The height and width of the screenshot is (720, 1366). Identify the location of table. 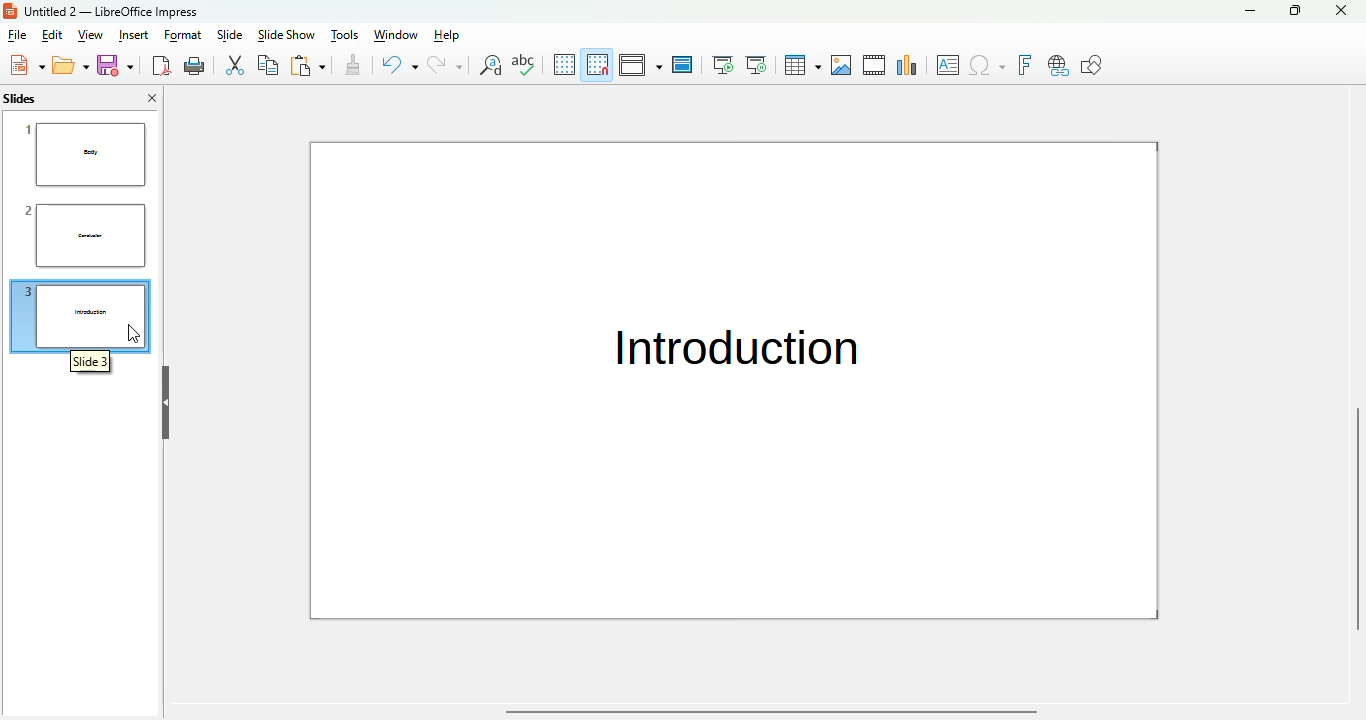
(803, 65).